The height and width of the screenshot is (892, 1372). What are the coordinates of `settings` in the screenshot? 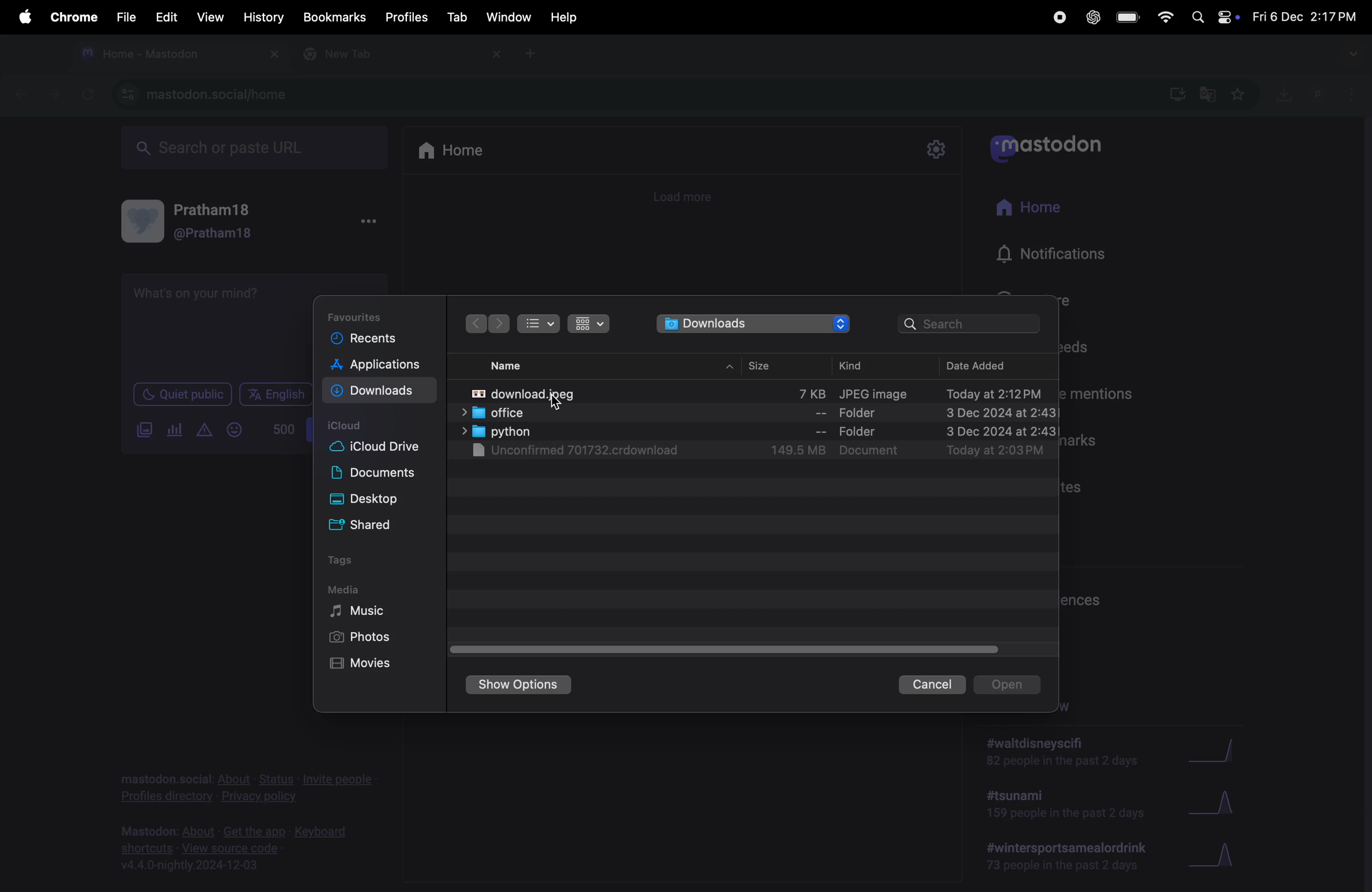 It's located at (937, 149).